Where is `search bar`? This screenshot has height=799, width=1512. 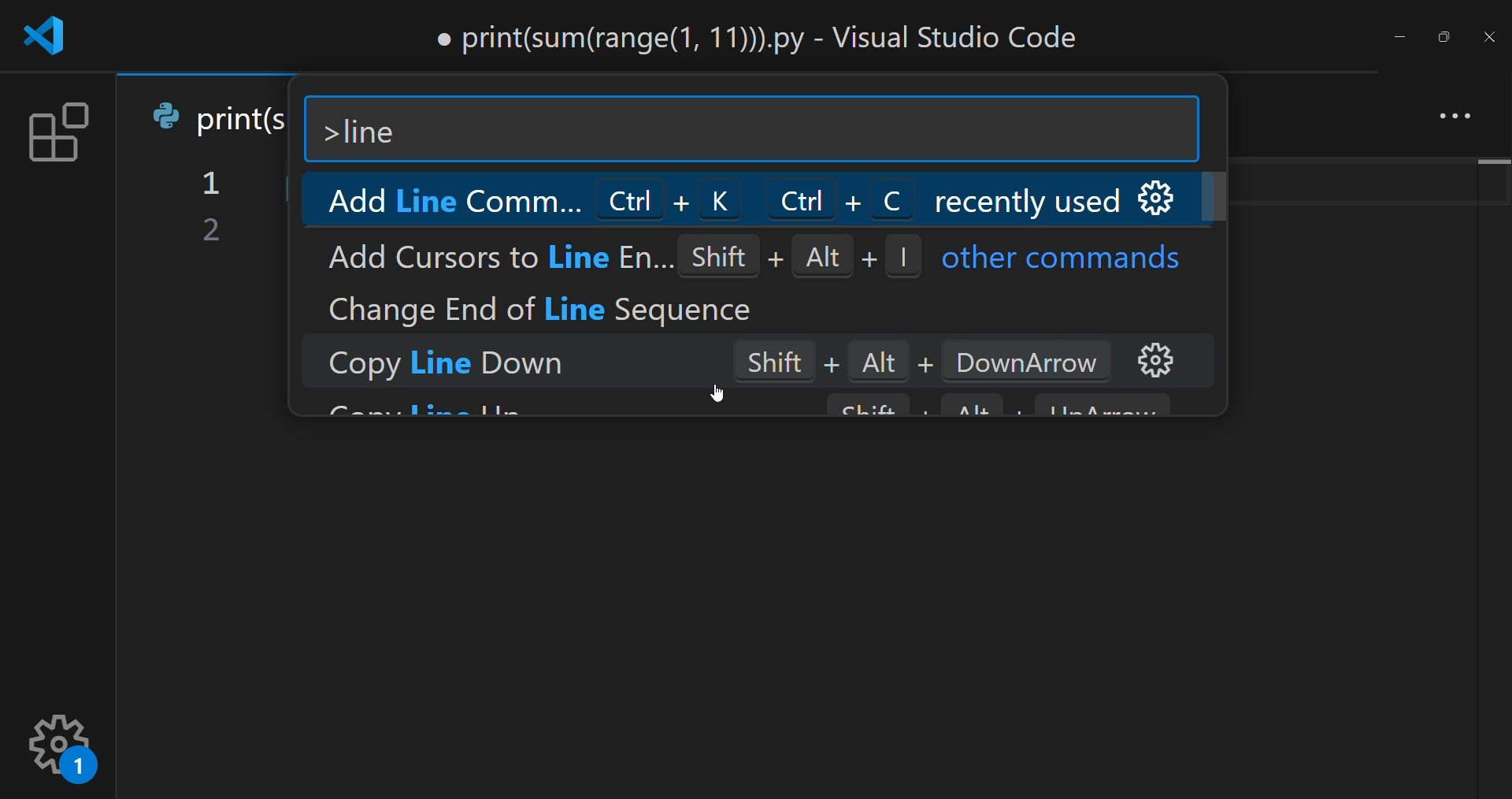 search bar is located at coordinates (822, 128).